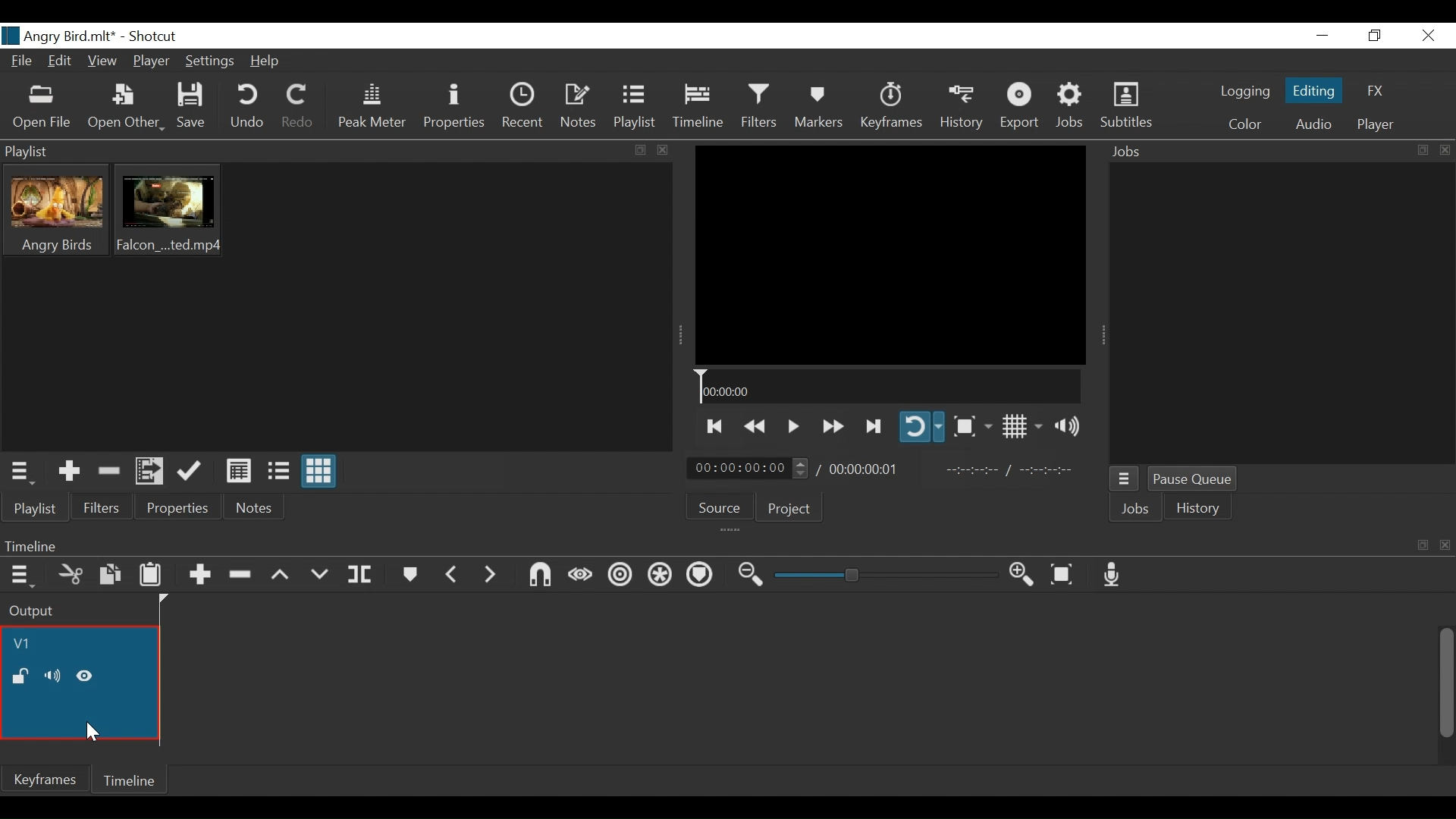 This screenshot has height=819, width=1456. What do you see at coordinates (1376, 89) in the screenshot?
I see `FX` at bounding box center [1376, 89].